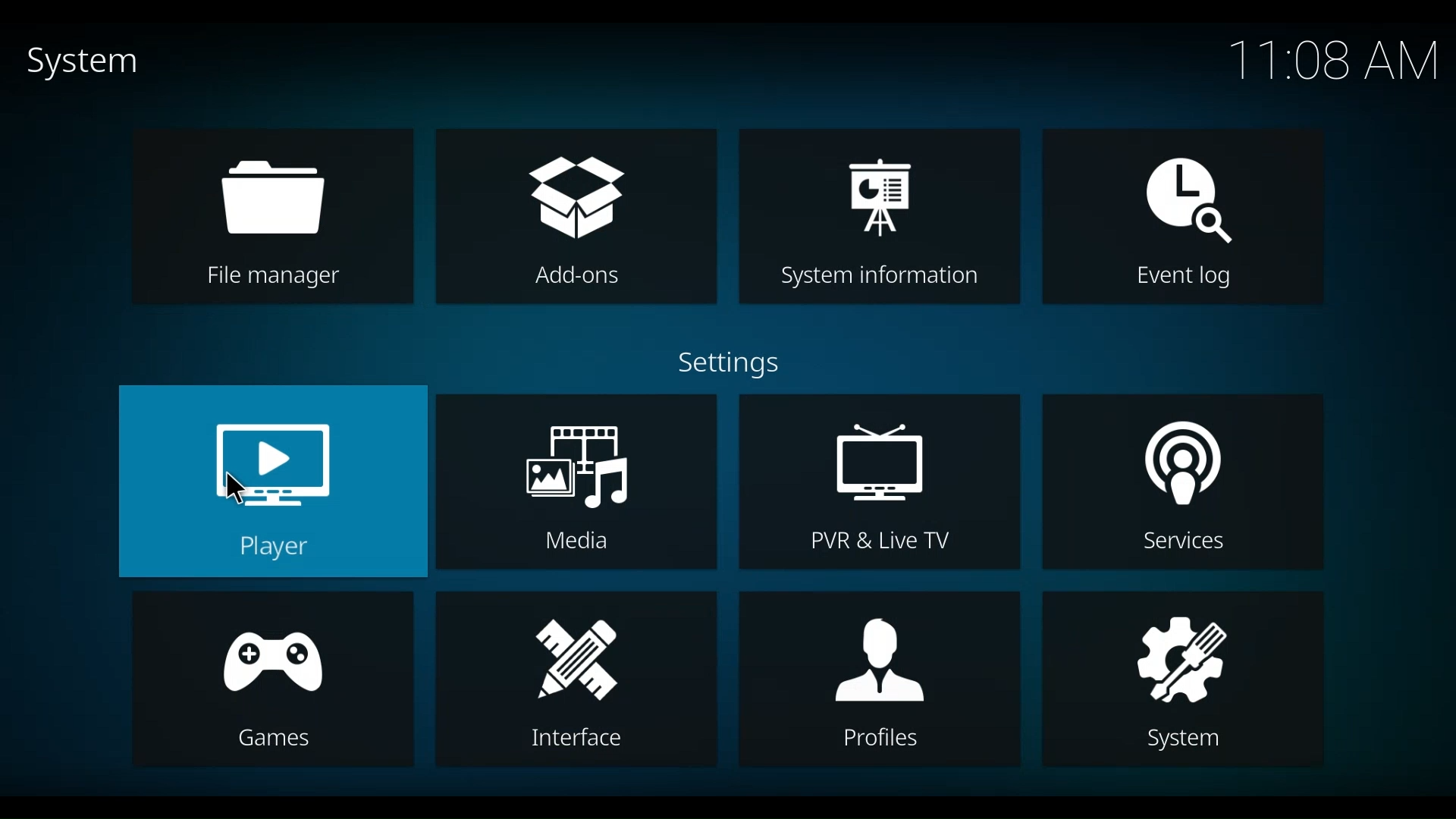  Describe the element at coordinates (723, 362) in the screenshot. I see `Settings` at that location.